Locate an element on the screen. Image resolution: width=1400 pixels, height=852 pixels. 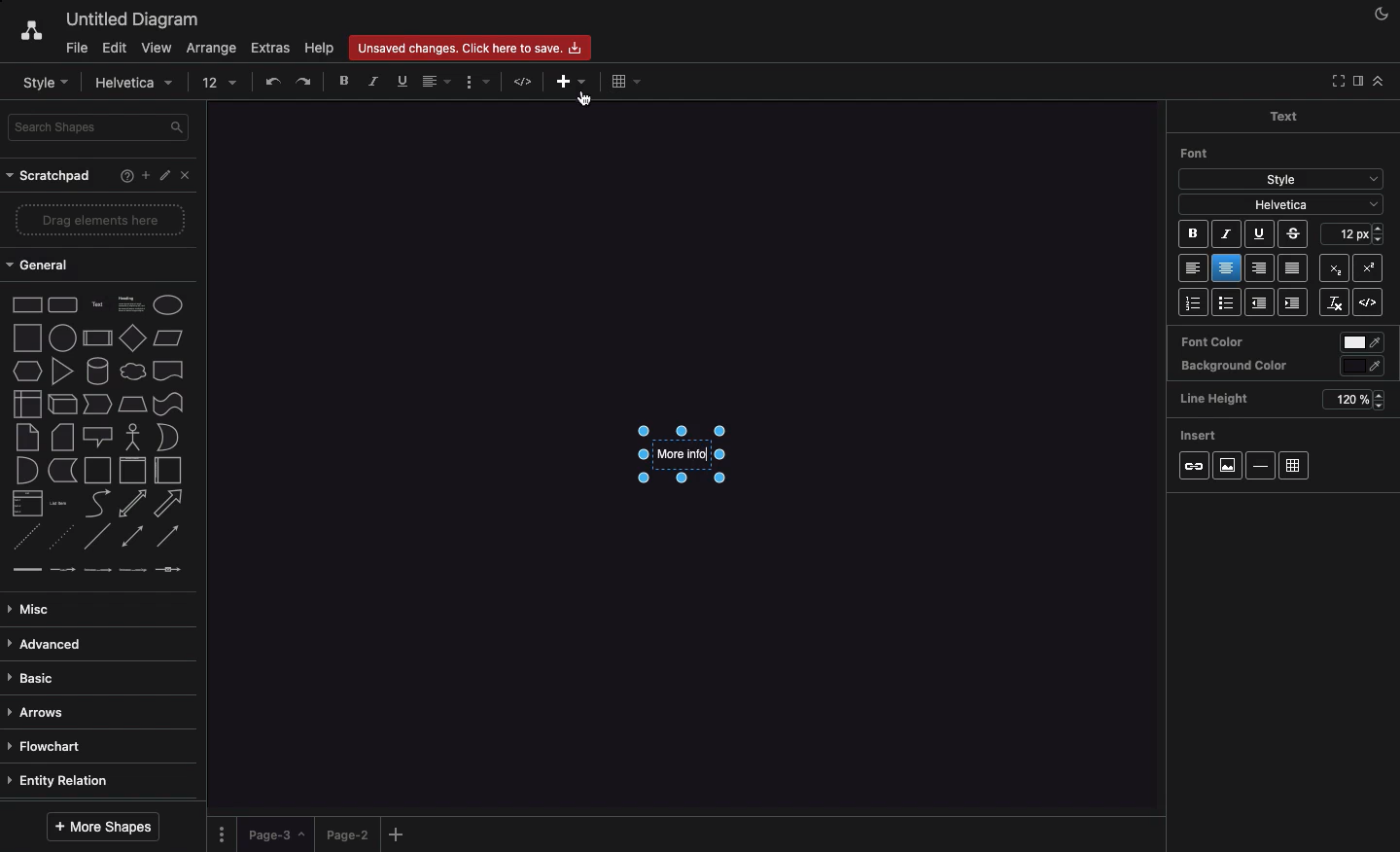
Bold is located at coordinates (1194, 236).